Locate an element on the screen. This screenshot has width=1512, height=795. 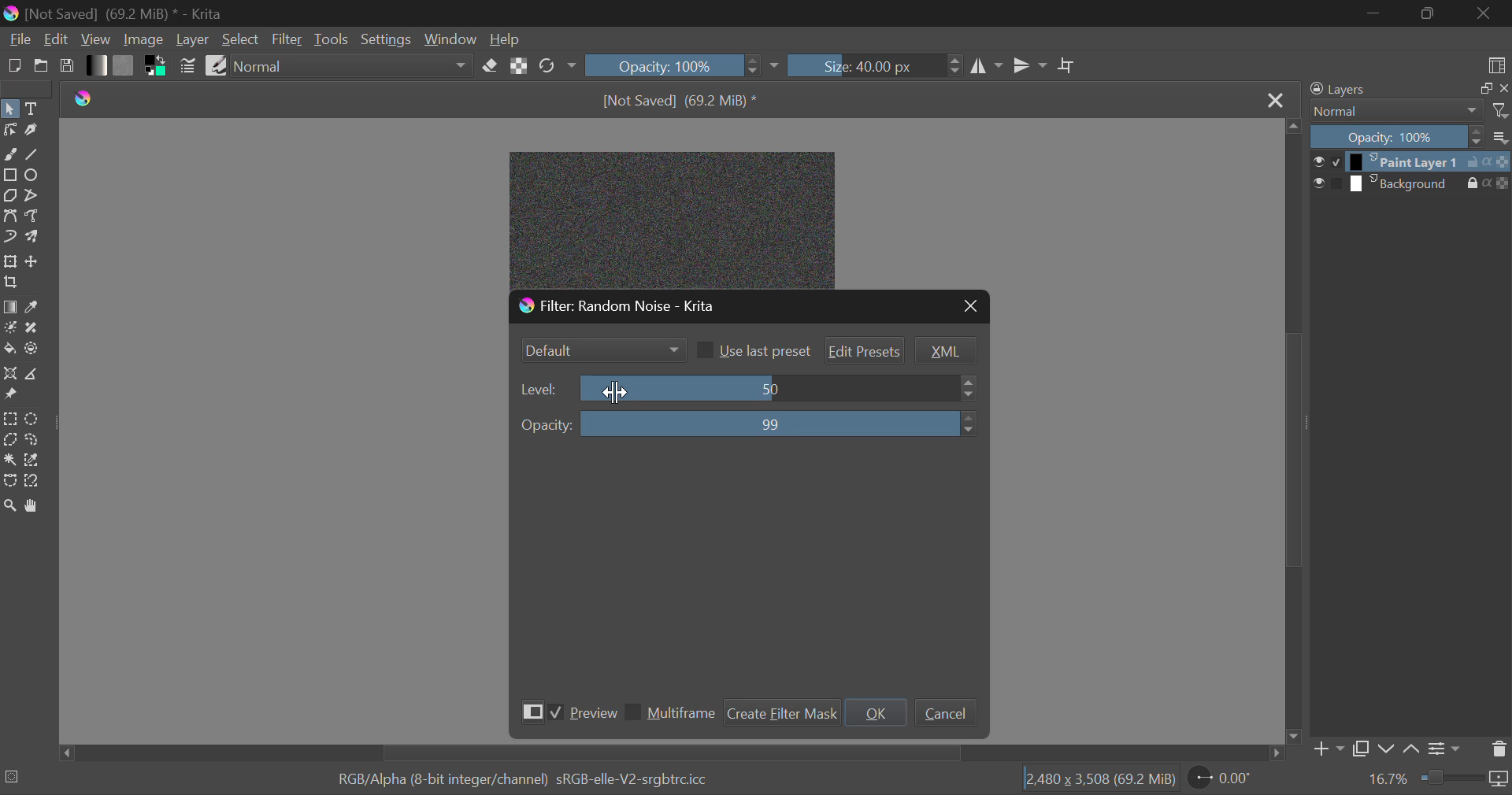
Paint layer 1 is located at coordinates (1401, 162).